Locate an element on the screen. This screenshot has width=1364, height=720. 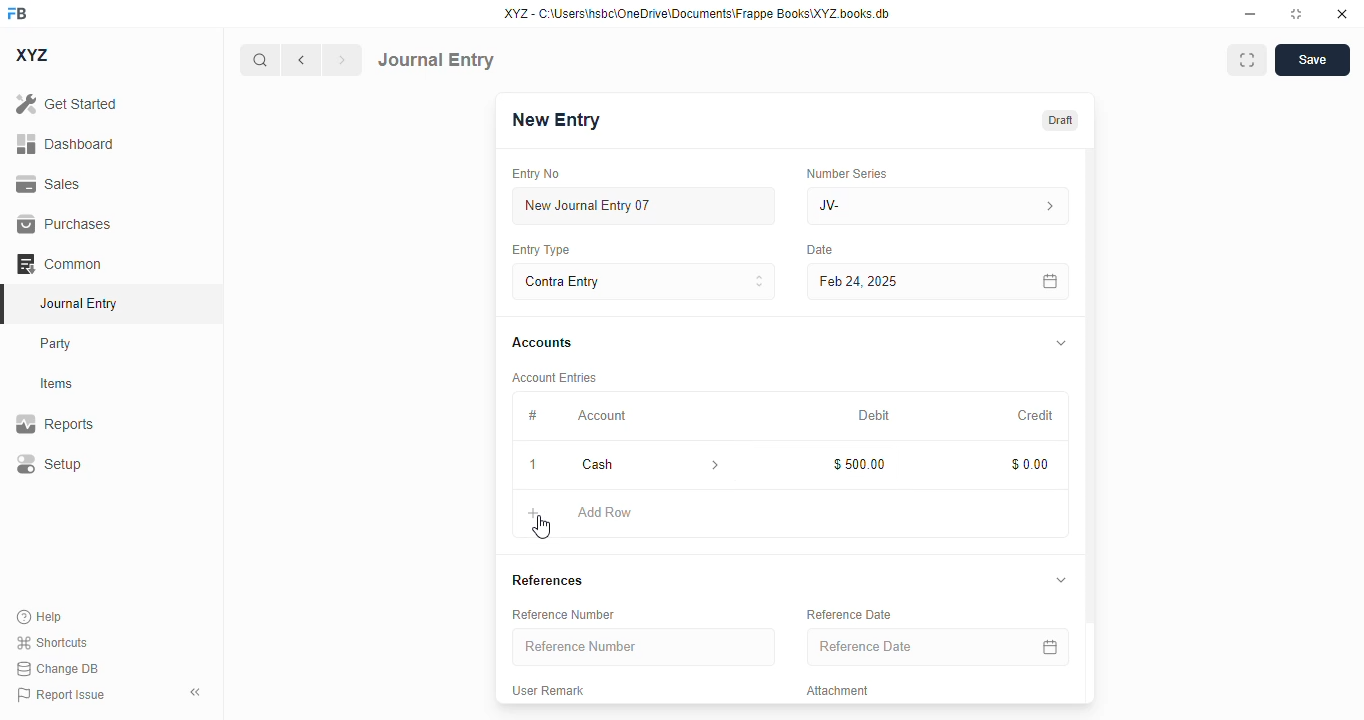
toggle expand/collapse is located at coordinates (1062, 580).